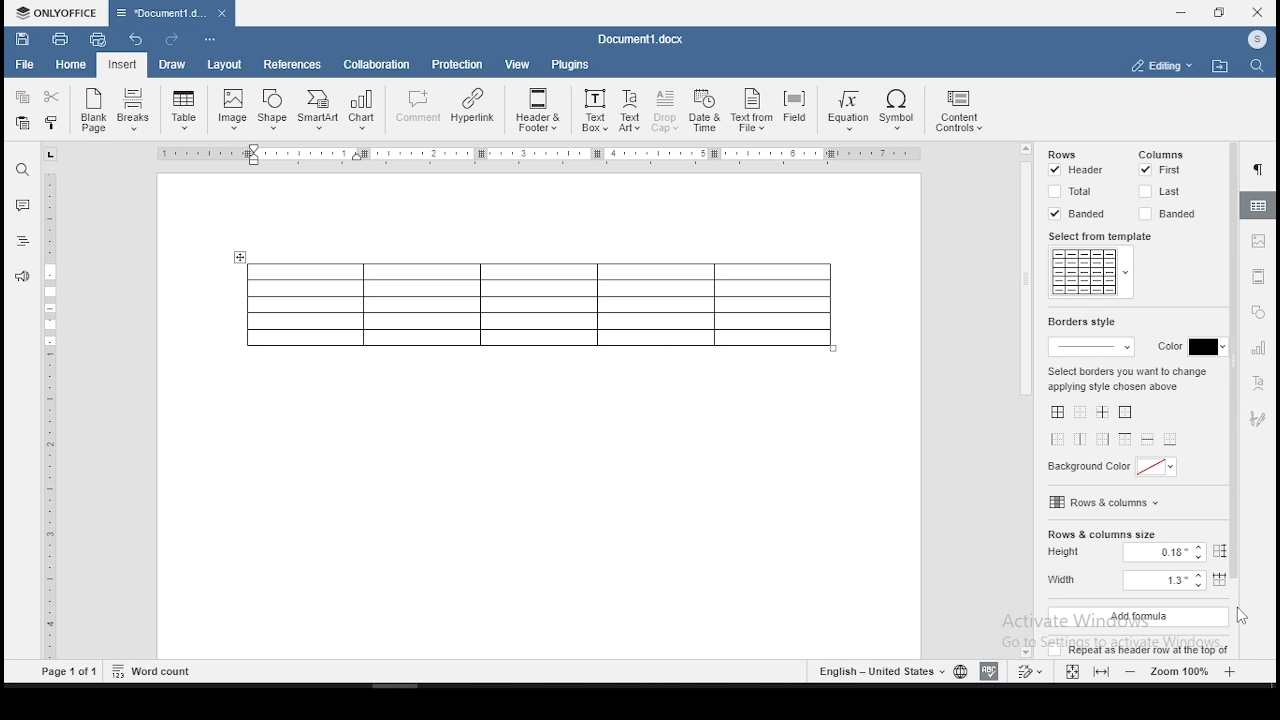 The width and height of the screenshot is (1280, 720). I want to click on comment, so click(416, 106).